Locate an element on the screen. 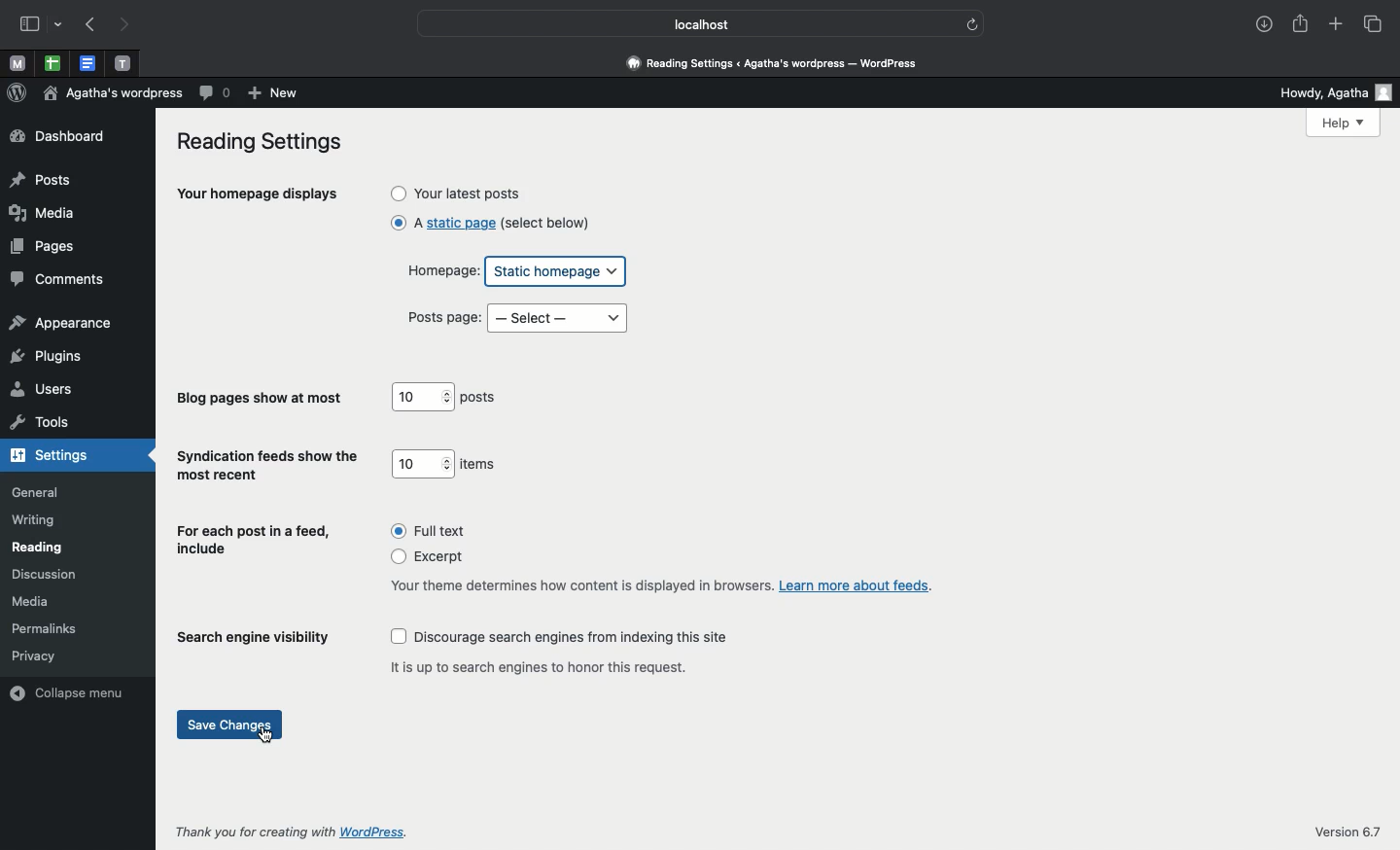 The width and height of the screenshot is (1400, 850). Homepage is located at coordinates (441, 272).